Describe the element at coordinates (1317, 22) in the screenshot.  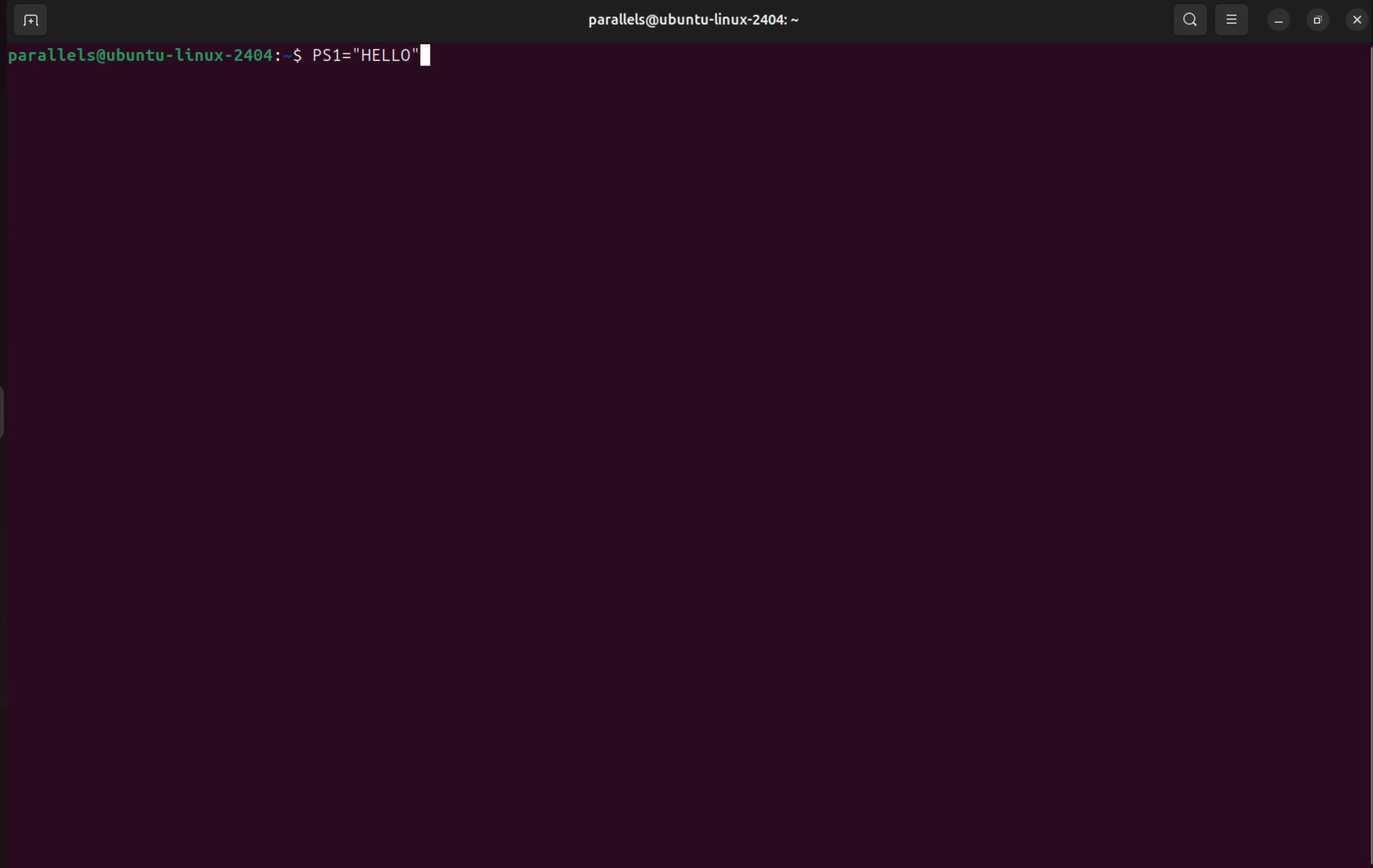
I see `resize ` at that location.